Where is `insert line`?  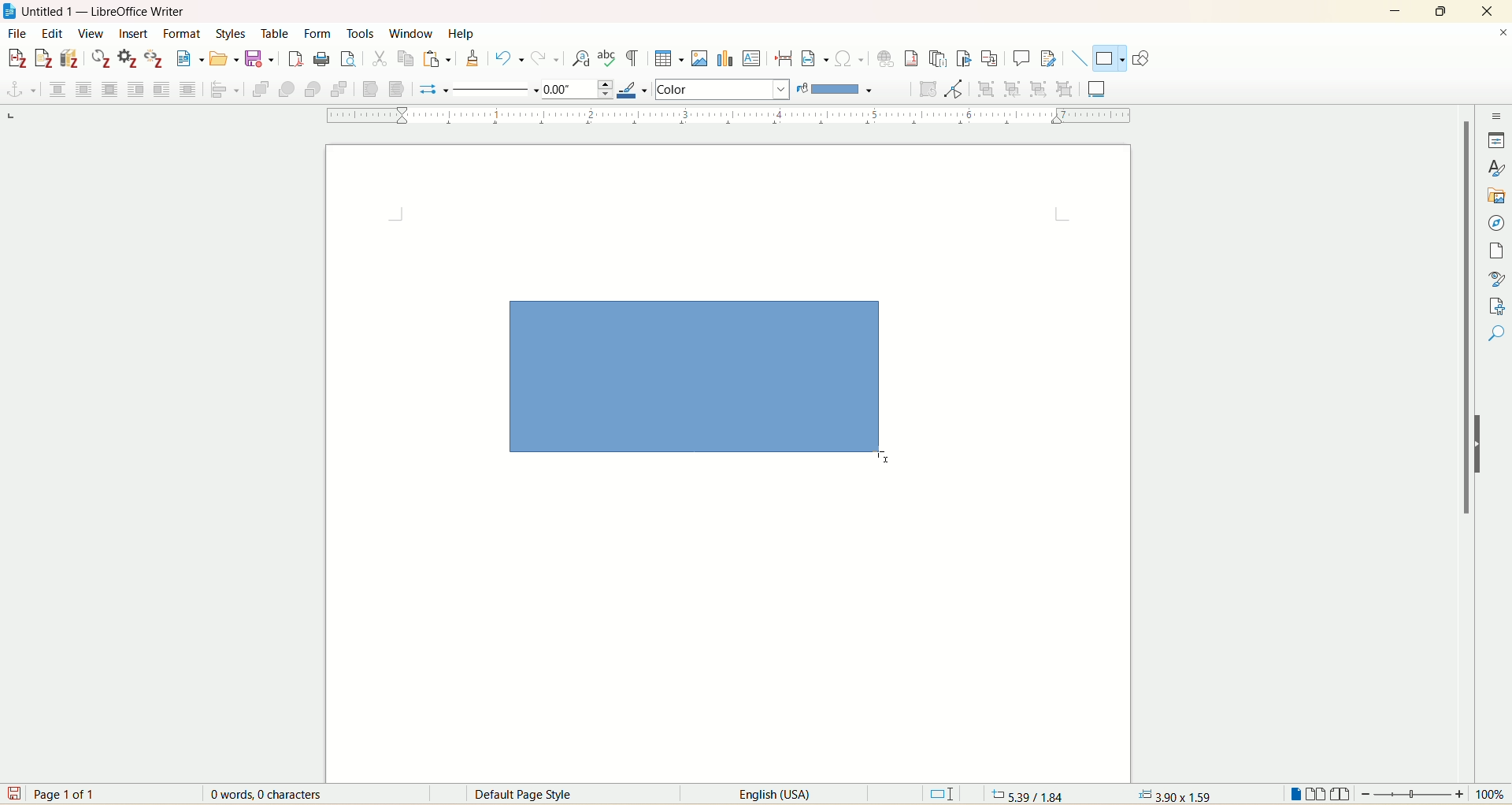 insert line is located at coordinates (1079, 58).